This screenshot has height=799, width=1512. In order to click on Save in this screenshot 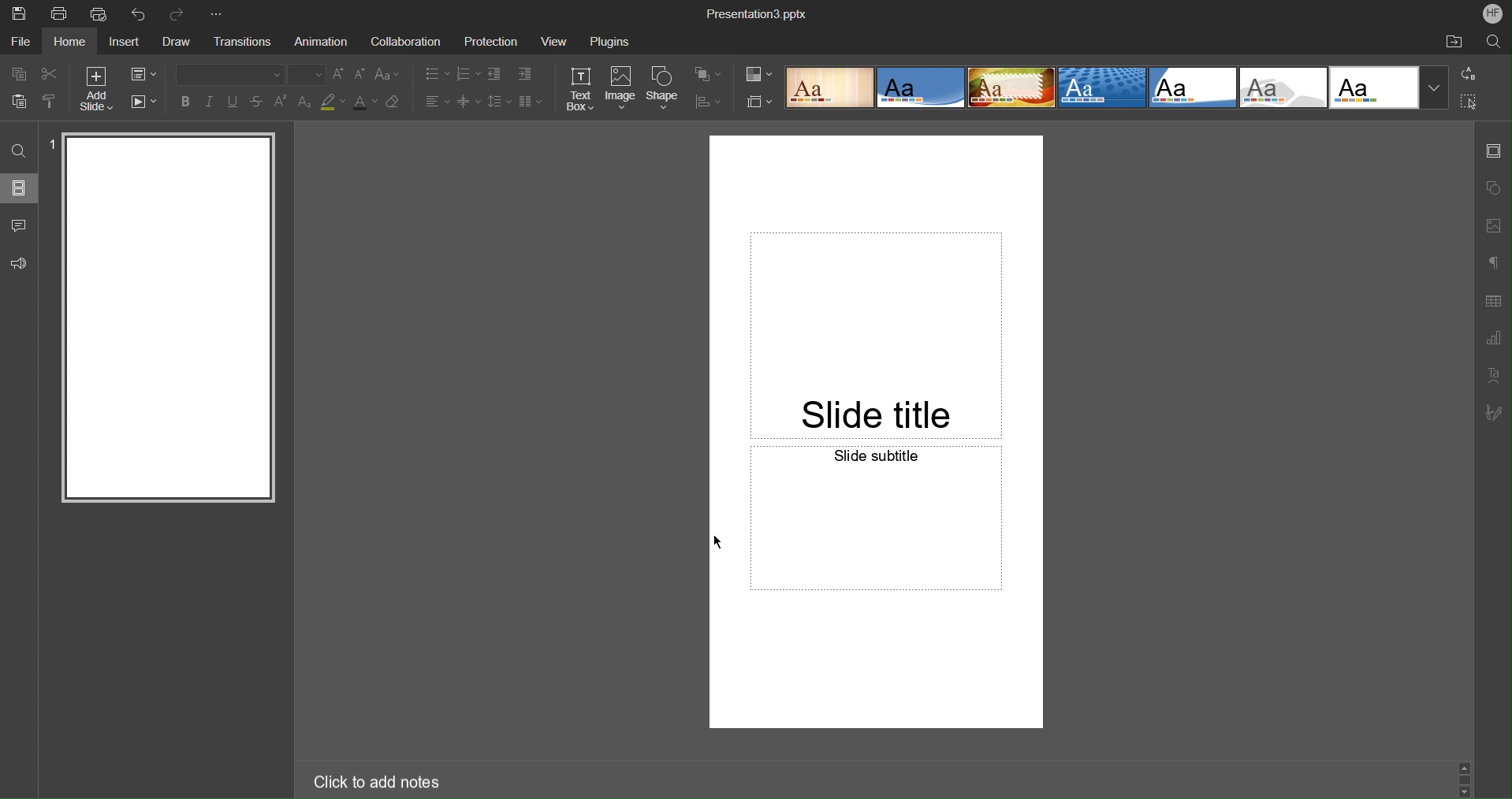, I will do `click(20, 13)`.